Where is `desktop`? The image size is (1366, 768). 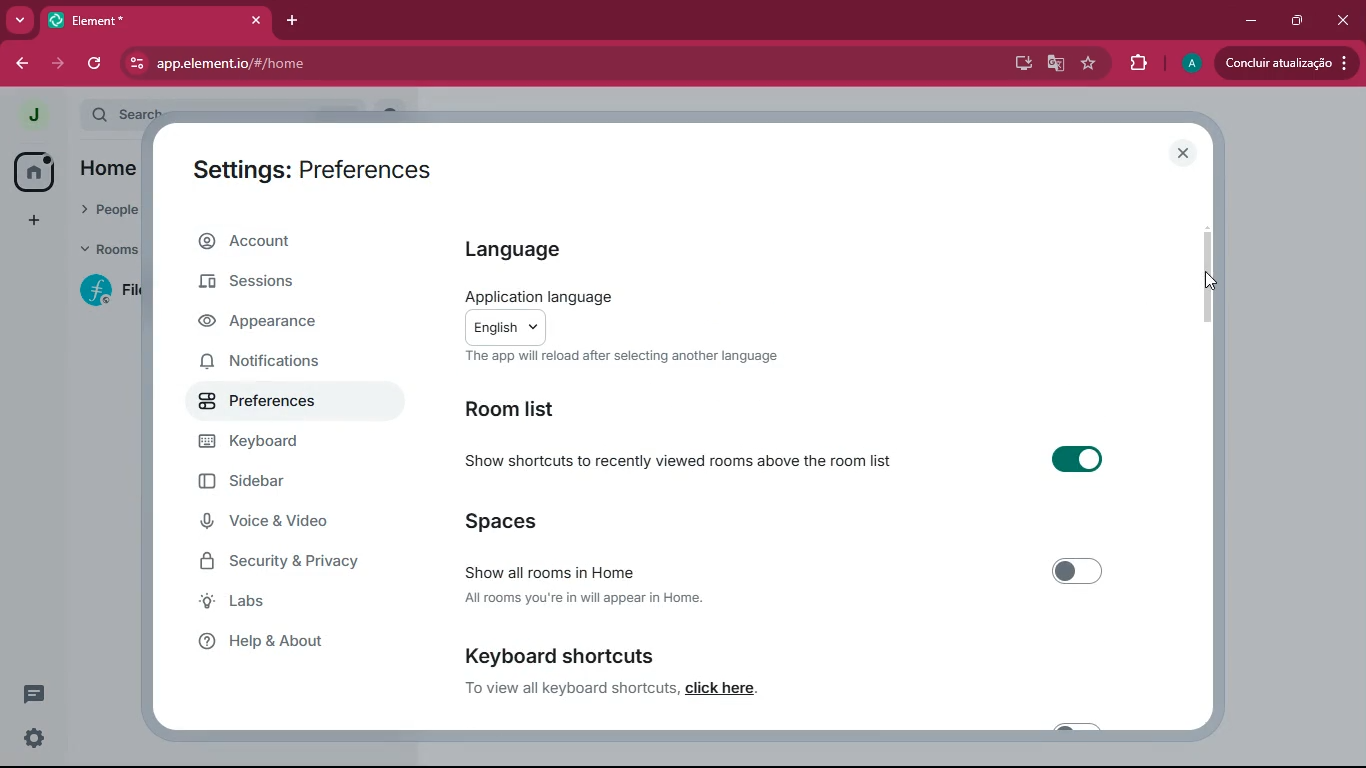 desktop is located at coordinates (1015, 63).